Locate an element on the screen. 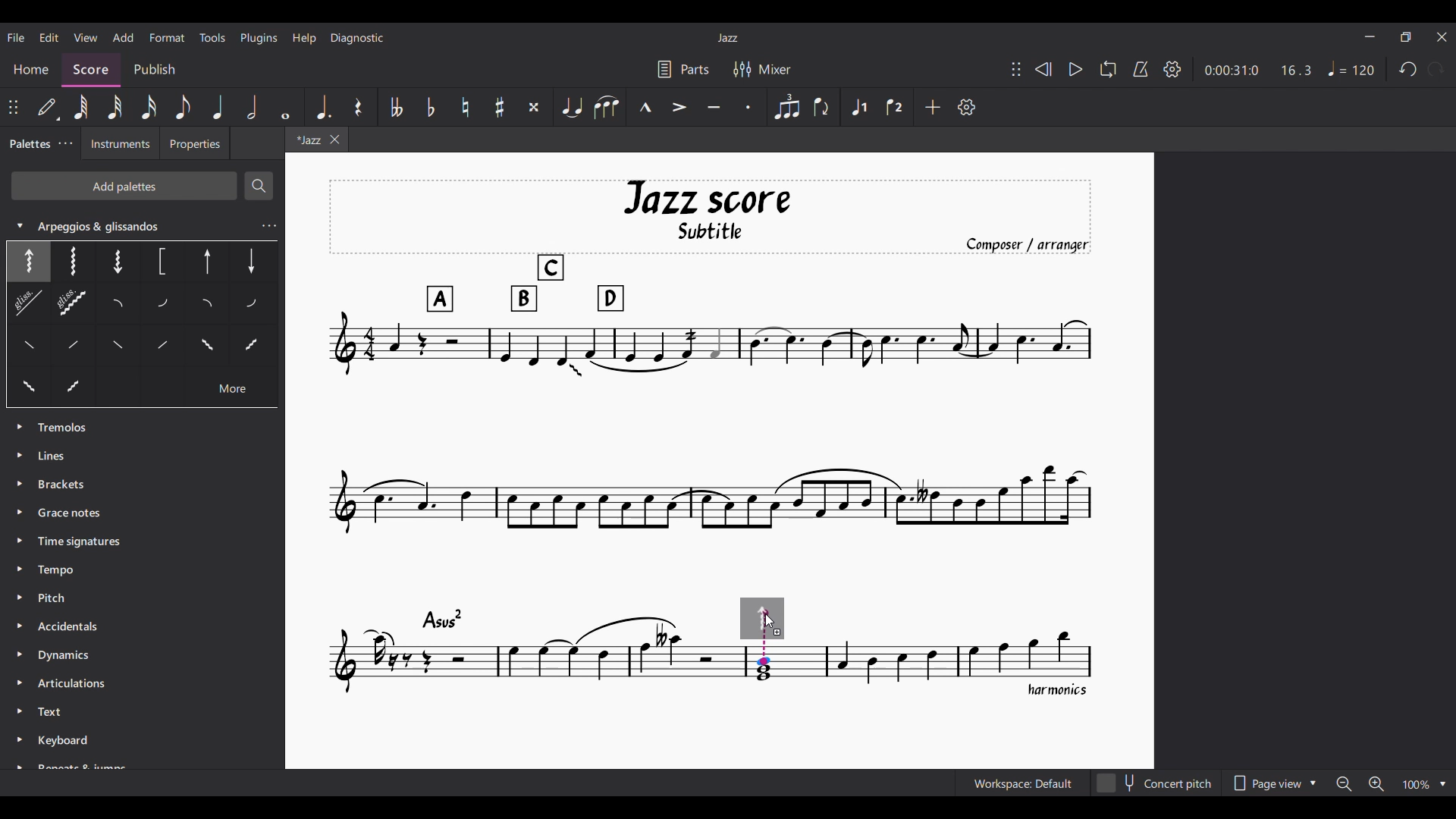 This screenshot has width=1456, height=819. Mixer settings is located at coordinates (762, 69).